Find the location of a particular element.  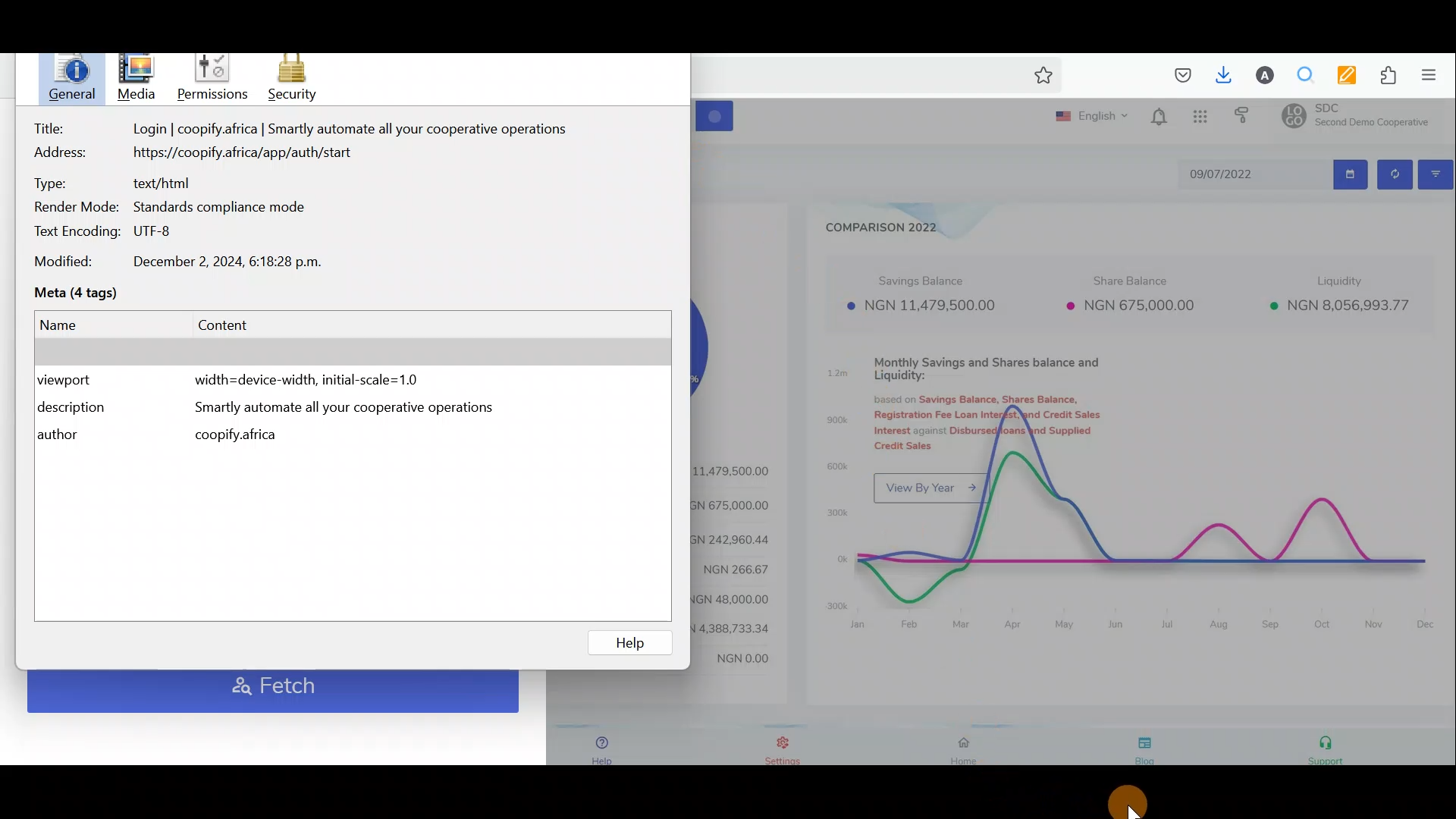

Author is located at coordinates (187, 437).